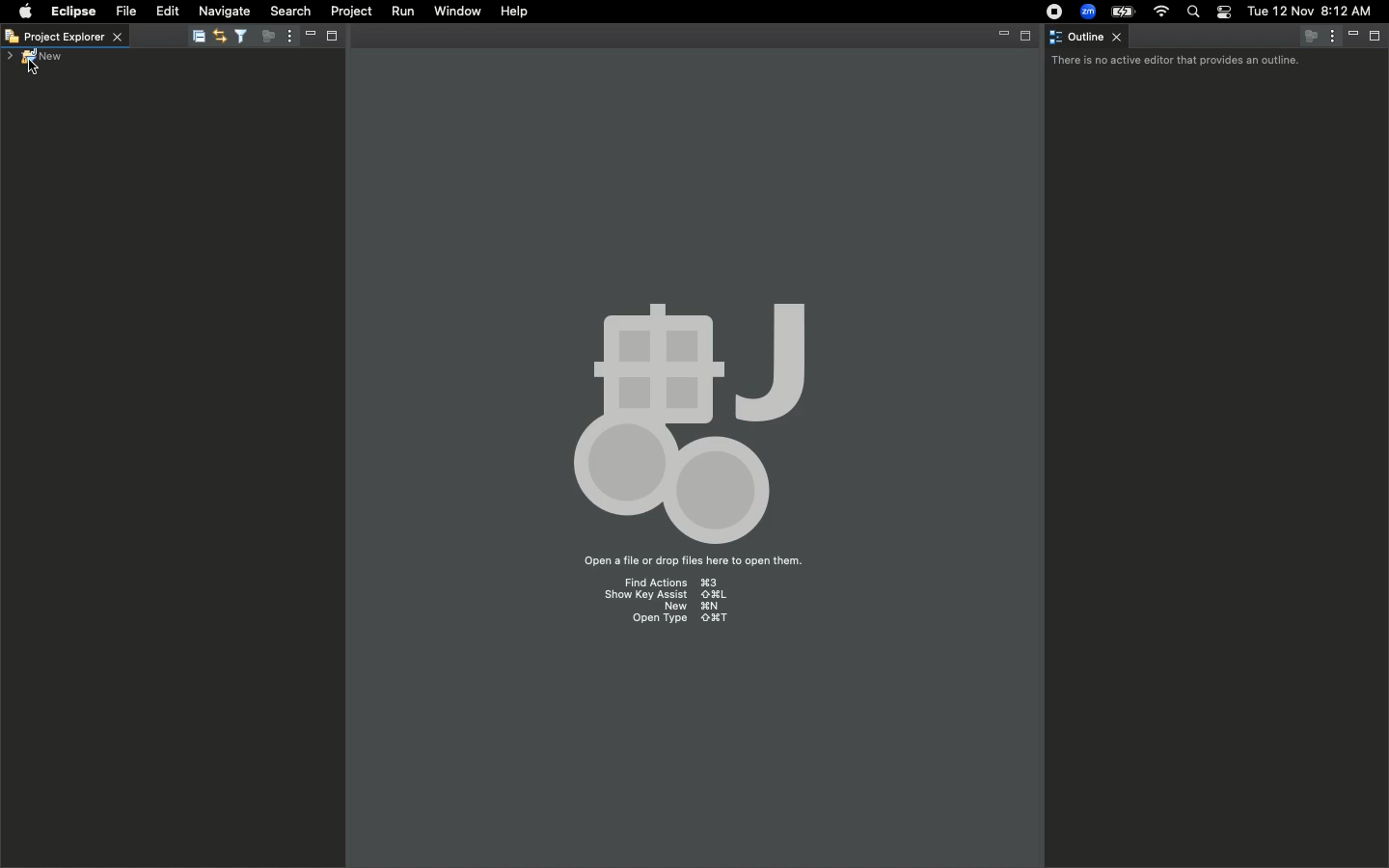  What do you see at coordinates (692, 562) in the screenshot?
I see `Open a file or drop files here to open them` at bounding box center [692, 562].